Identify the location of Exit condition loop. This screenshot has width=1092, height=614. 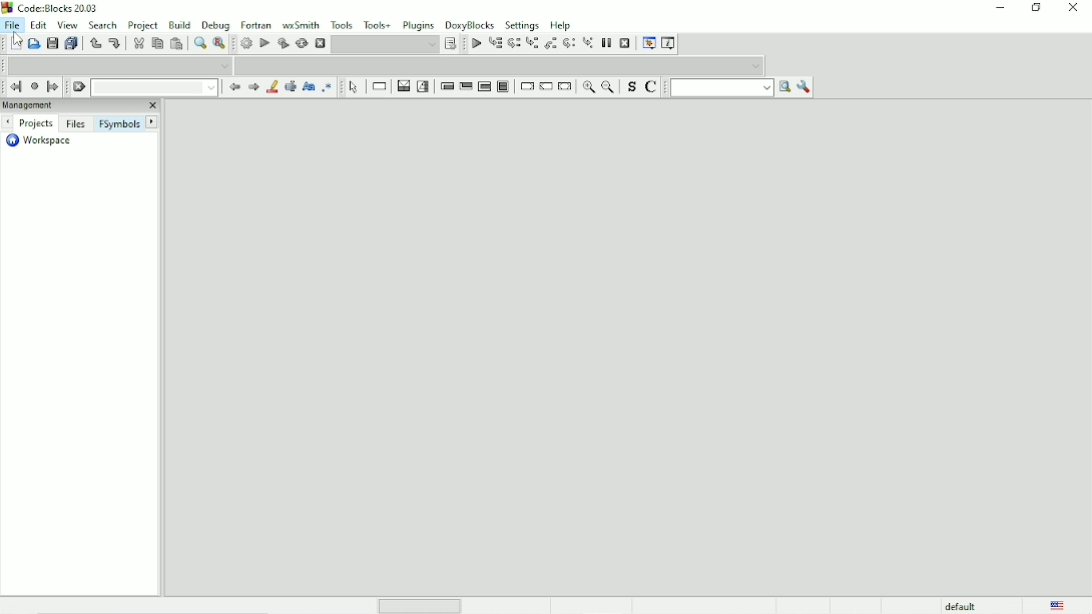
(466, 86).